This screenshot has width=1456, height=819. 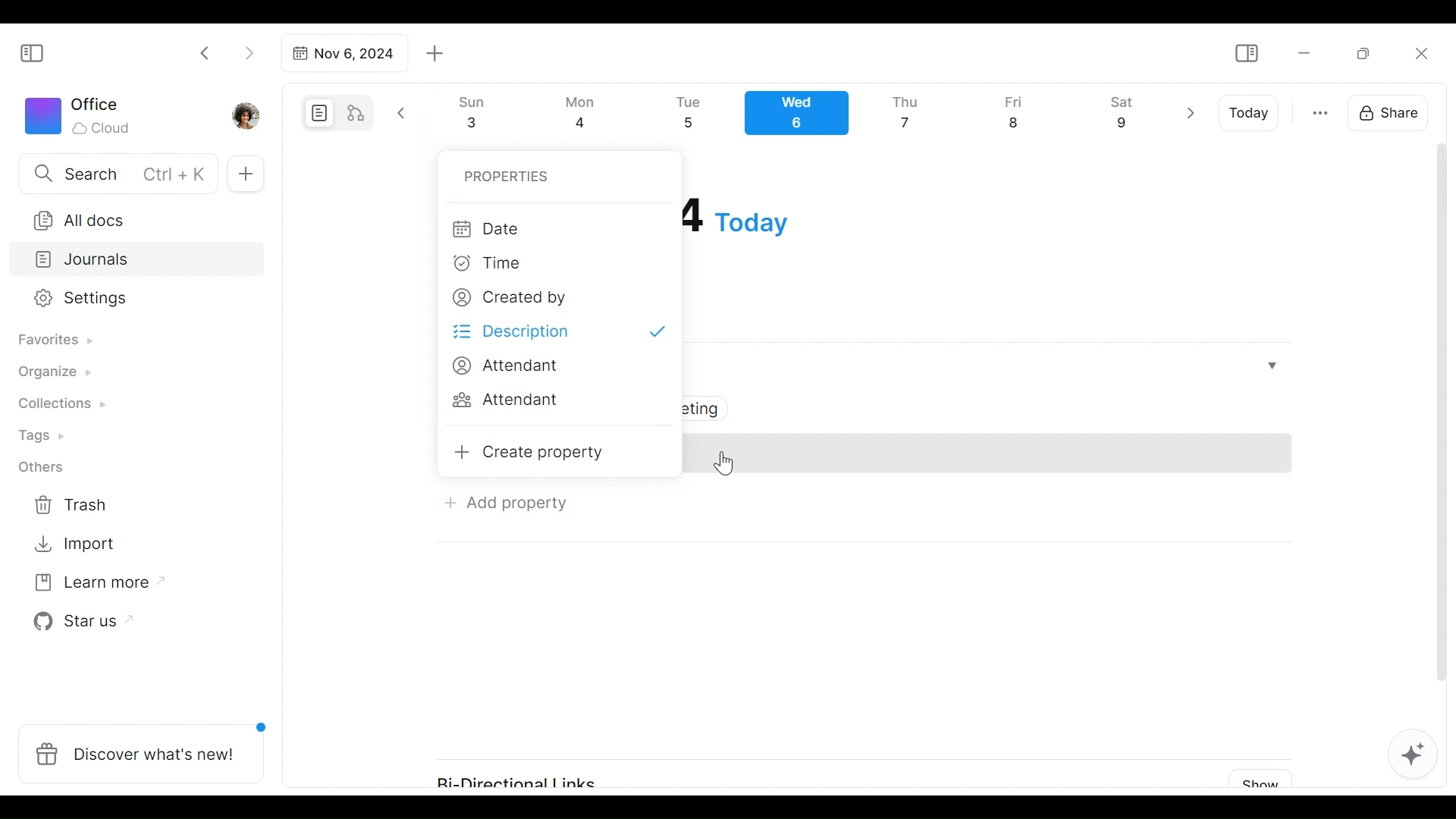 What do you see at coordinates (1320, 111) in the screenshot?
I see `more otions` at bounding box center [1320, 111].